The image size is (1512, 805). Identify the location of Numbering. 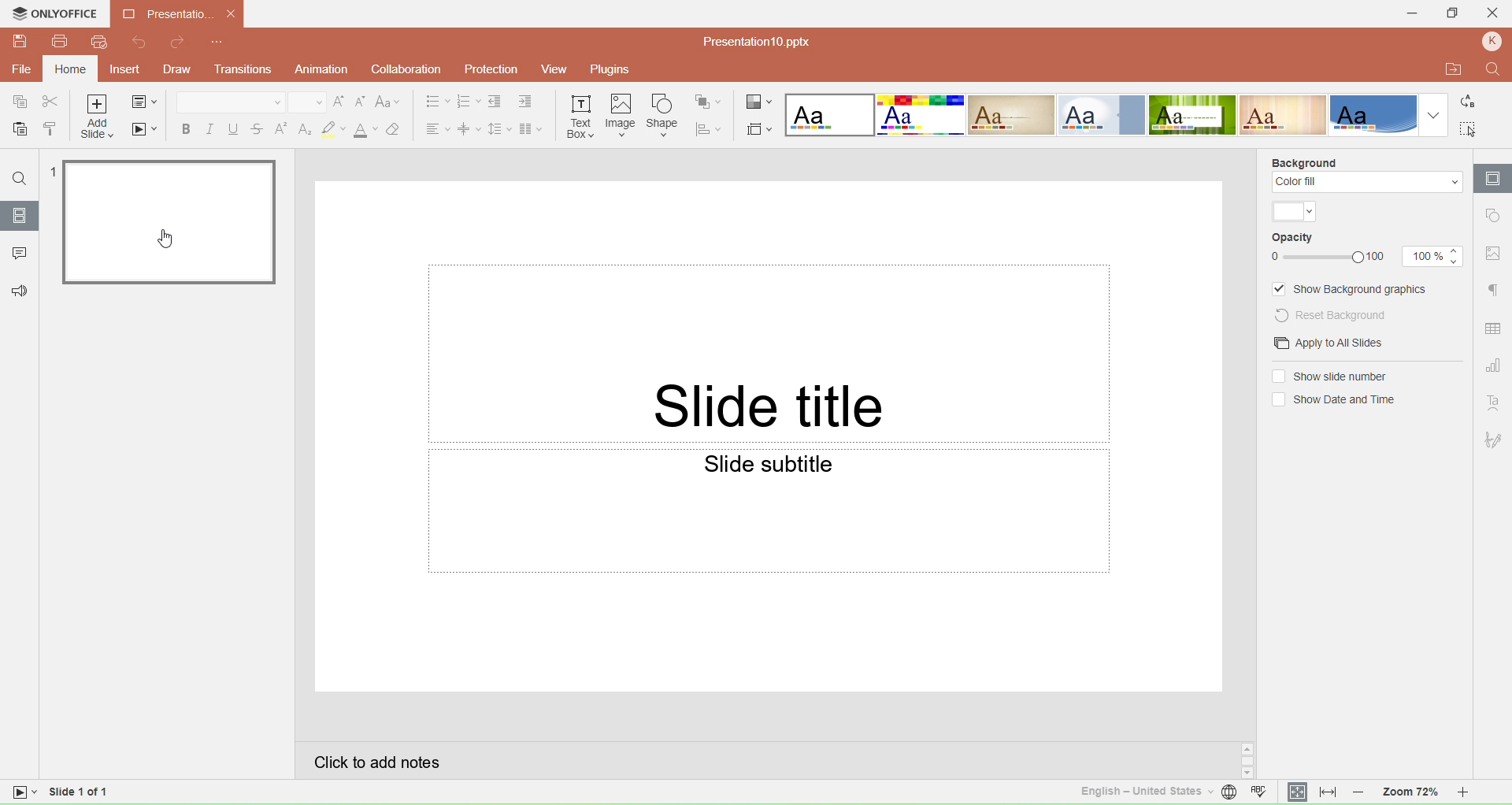
(468, 102).